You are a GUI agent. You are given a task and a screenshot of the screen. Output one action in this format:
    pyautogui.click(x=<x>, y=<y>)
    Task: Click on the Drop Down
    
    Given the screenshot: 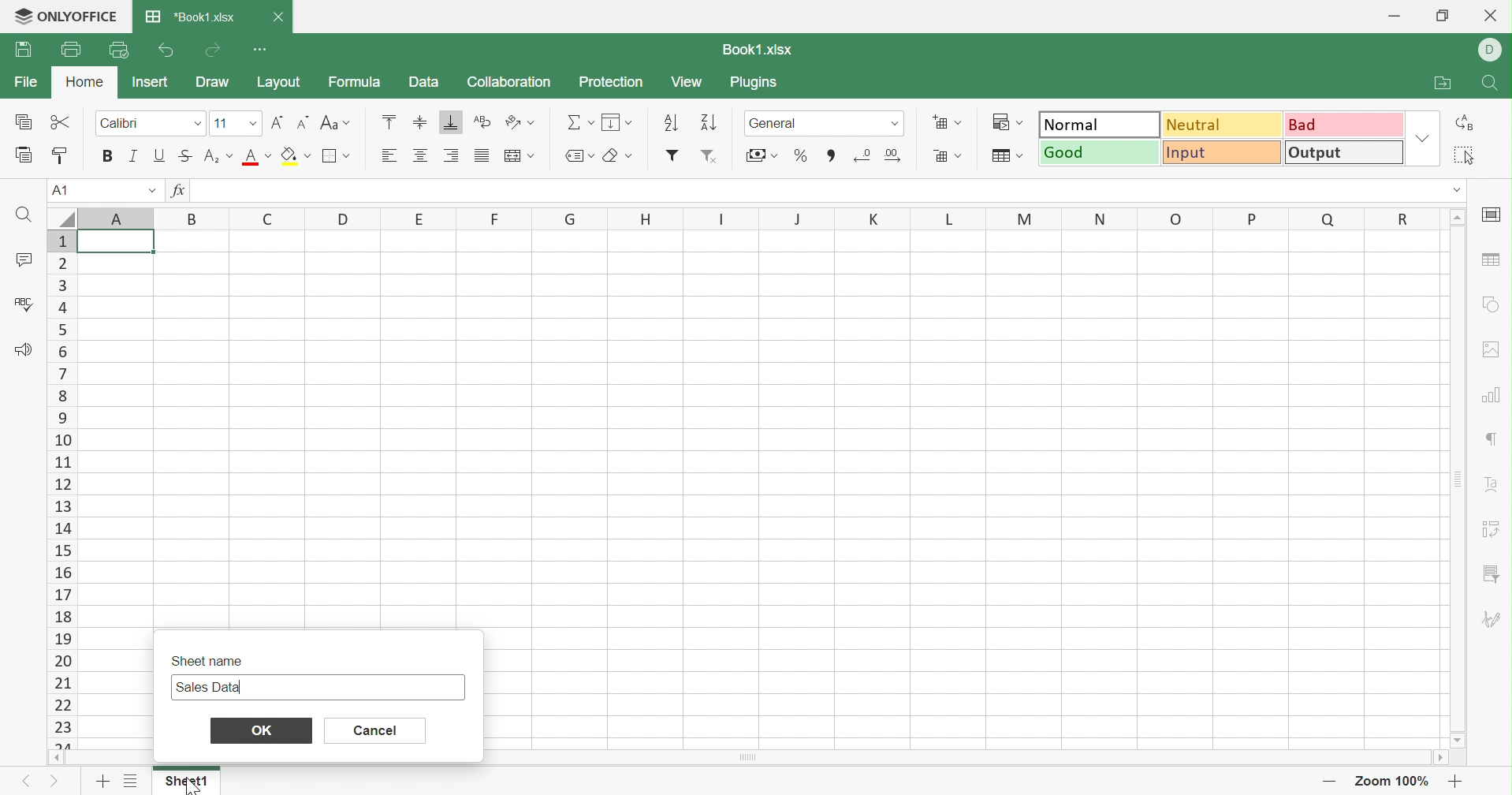 What is the action you would take?
    pyautogui.click(x=155, y=188)
    